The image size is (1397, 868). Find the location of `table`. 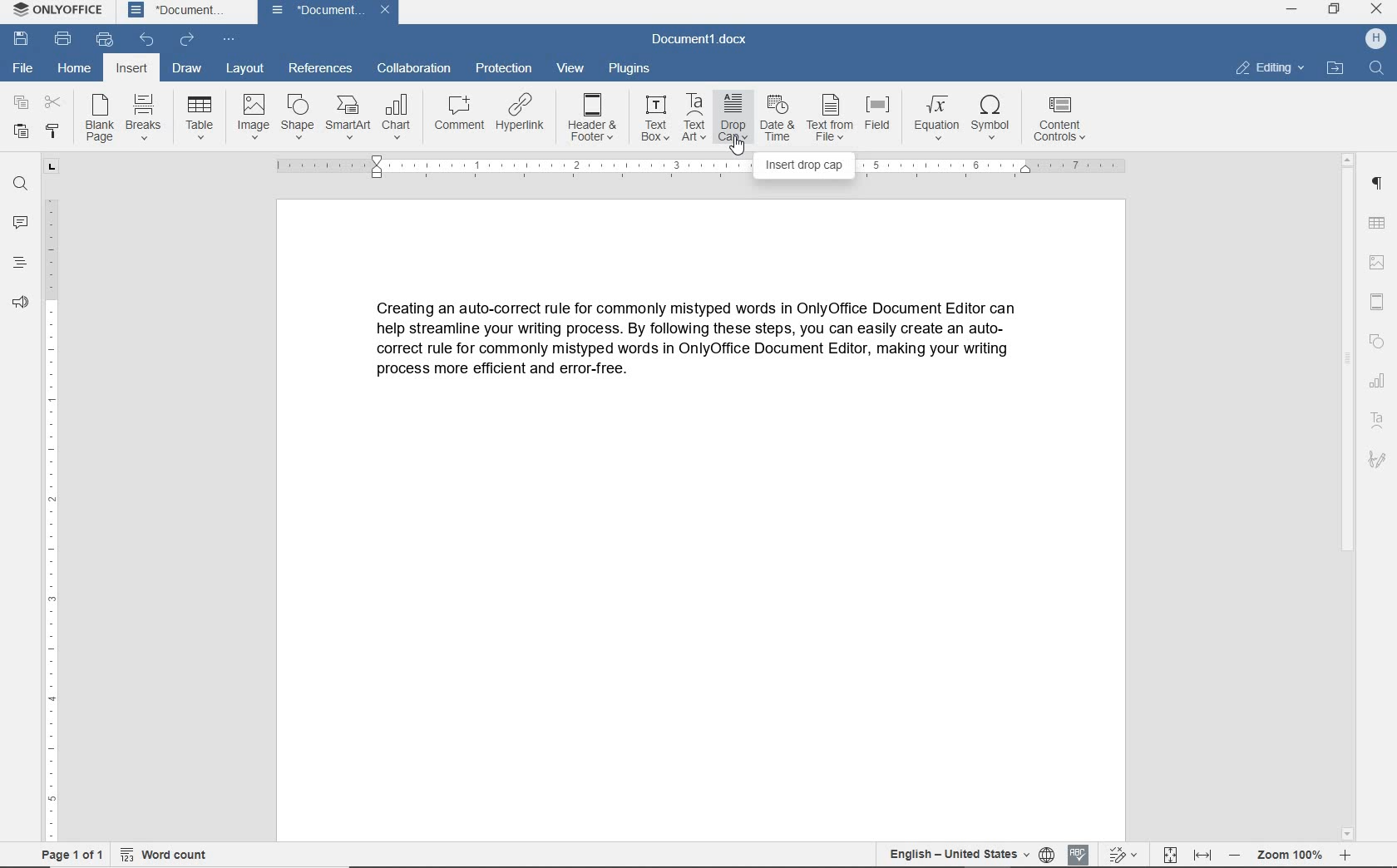

table is located at coordinates (1379, 223).